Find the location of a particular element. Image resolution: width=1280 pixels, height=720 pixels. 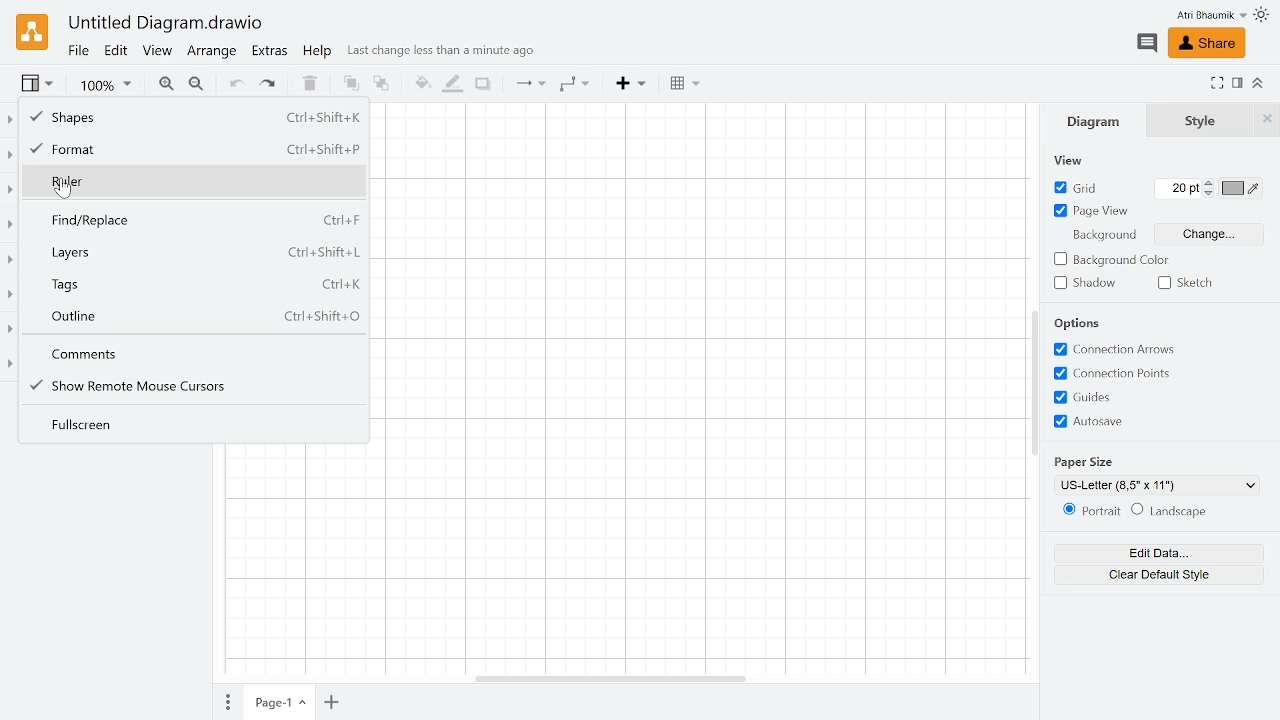

Draw.io logo is located at coordinates (32, 31).